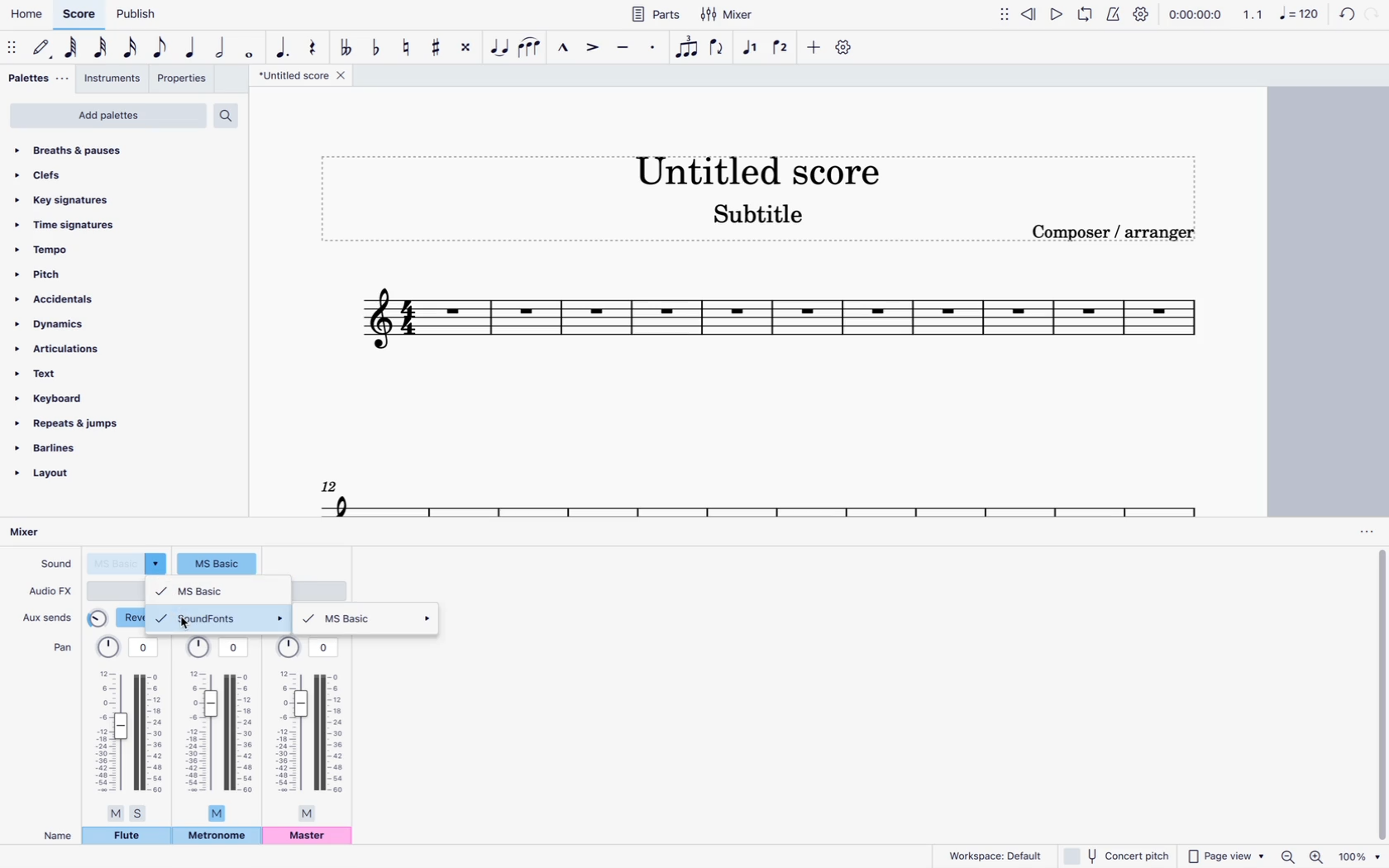 This screenshot has height=868, width=1389. Describe the element at coordinates (139, 13) in the screenshot. I see `publish` at that location.